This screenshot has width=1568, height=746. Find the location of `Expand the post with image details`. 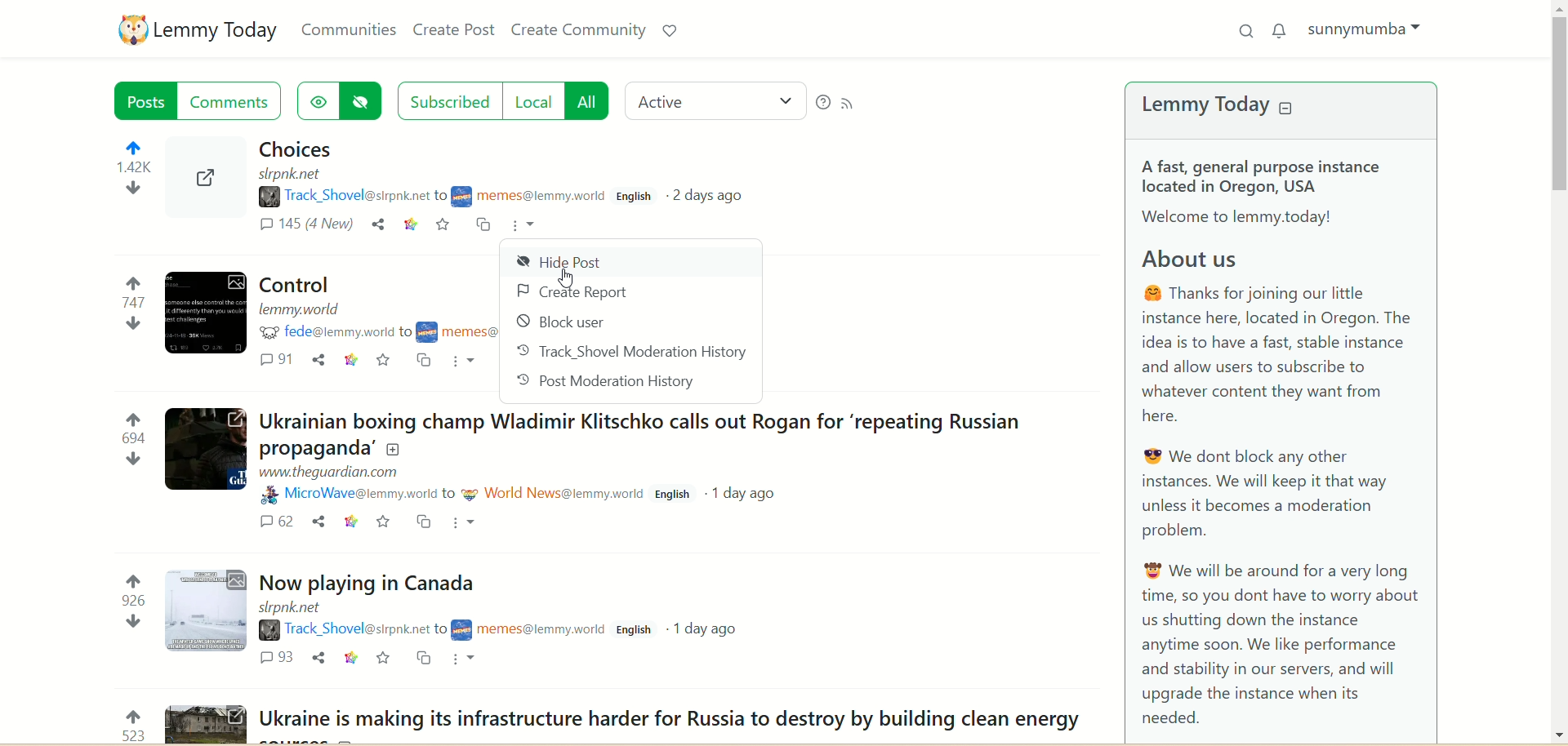

Expand the post with image details is located at coordinates (204, 315).